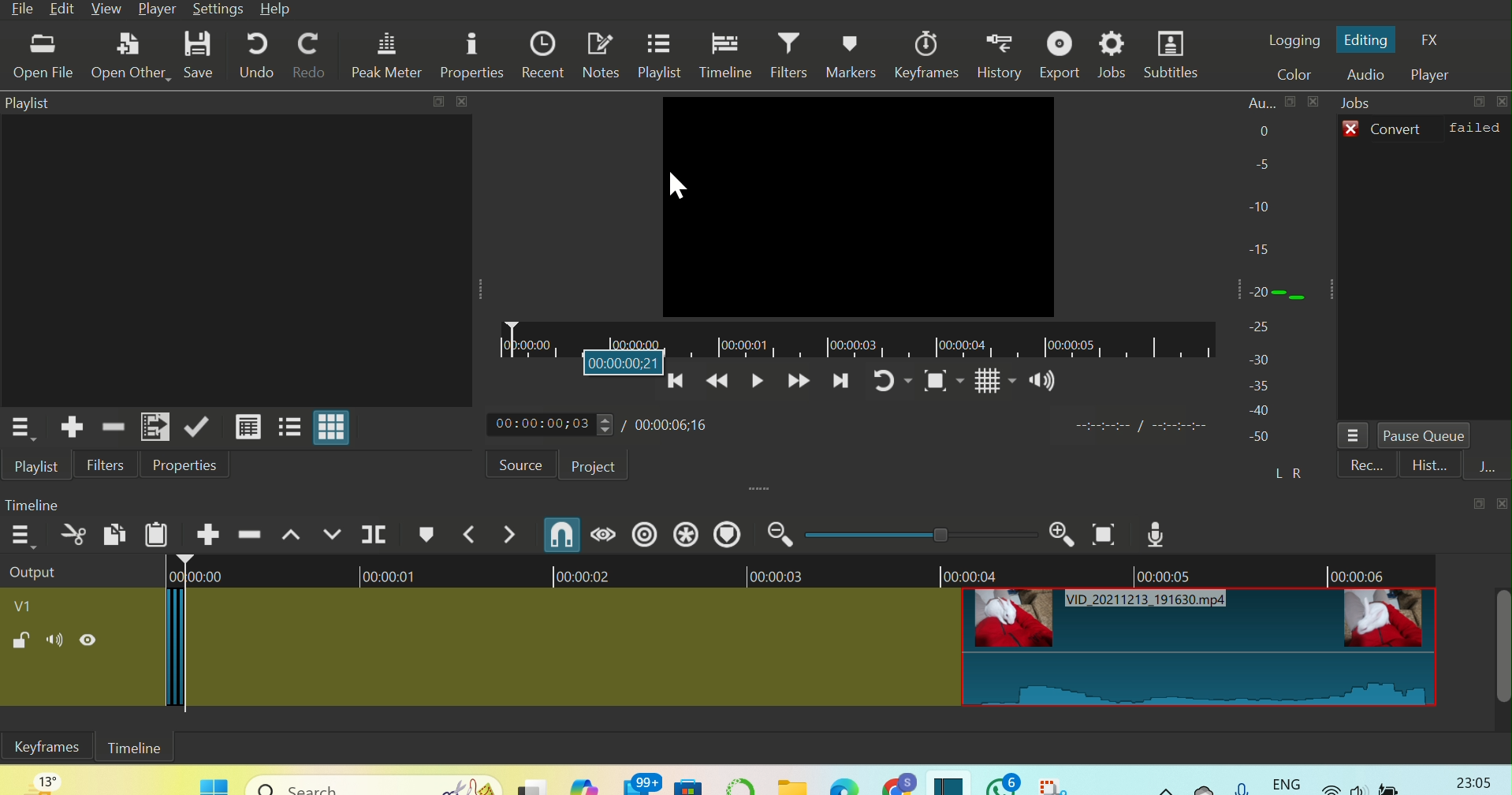 Image resolution: width=1512 pixels, height=795 pixels. Describe the element at coordinates (1042, 380) in the screenshot. I see `Sound` at that location.